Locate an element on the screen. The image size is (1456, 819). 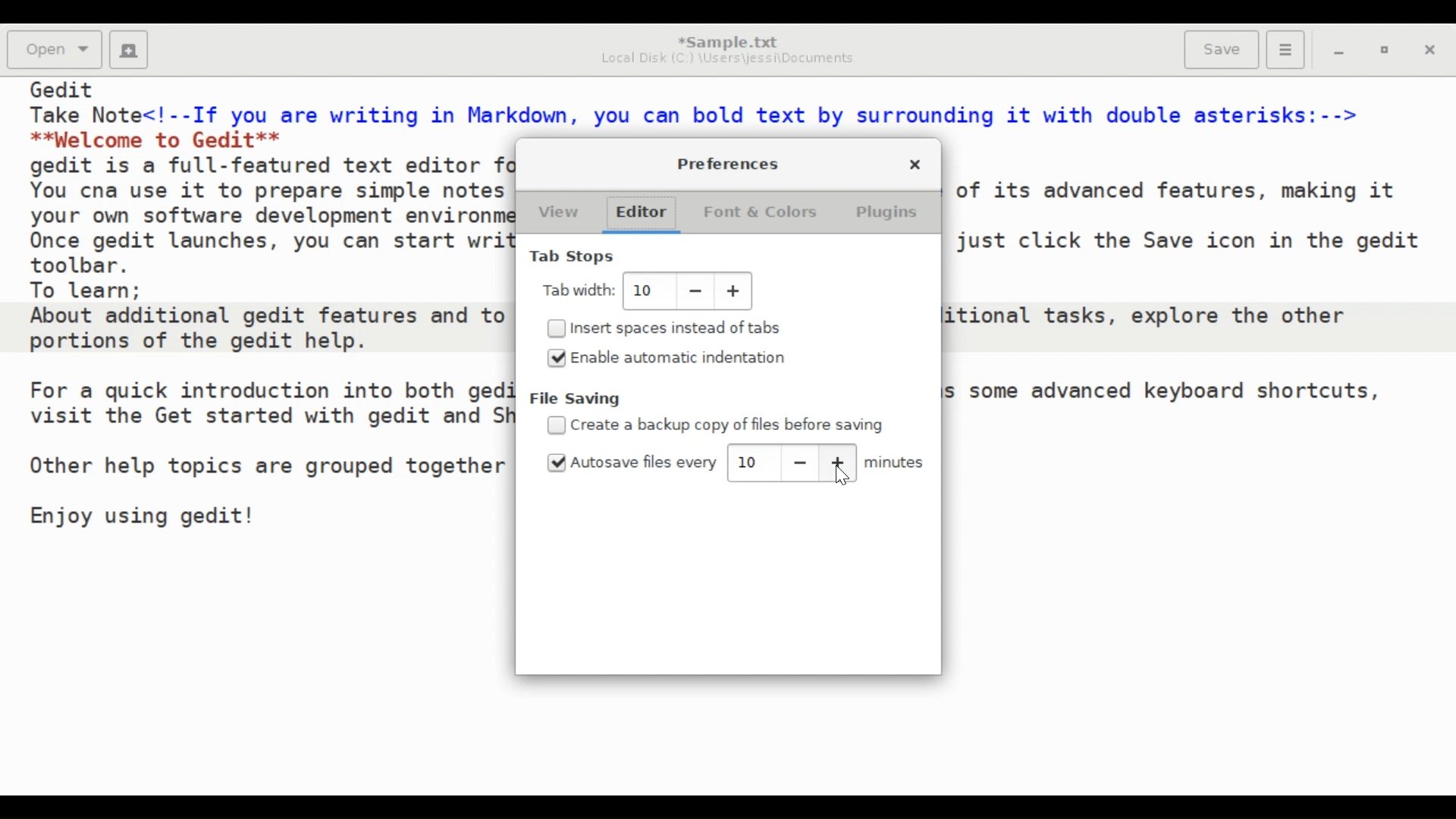
minimize is located at coordinates (1339, 52).